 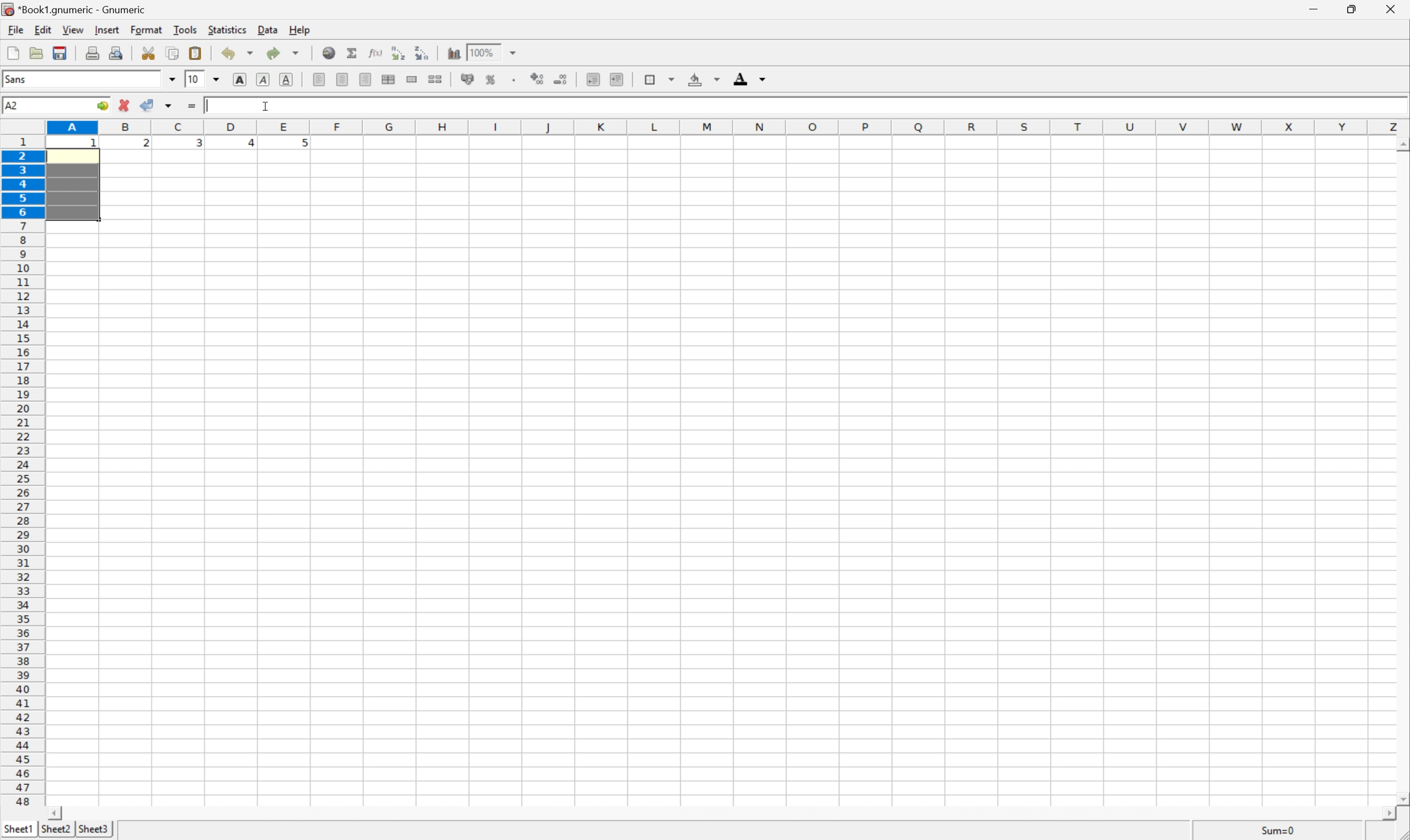 What do you see at coordinates (57, 832) in the screenshot?
I see `sheet2` at bounding box center [57, 832].